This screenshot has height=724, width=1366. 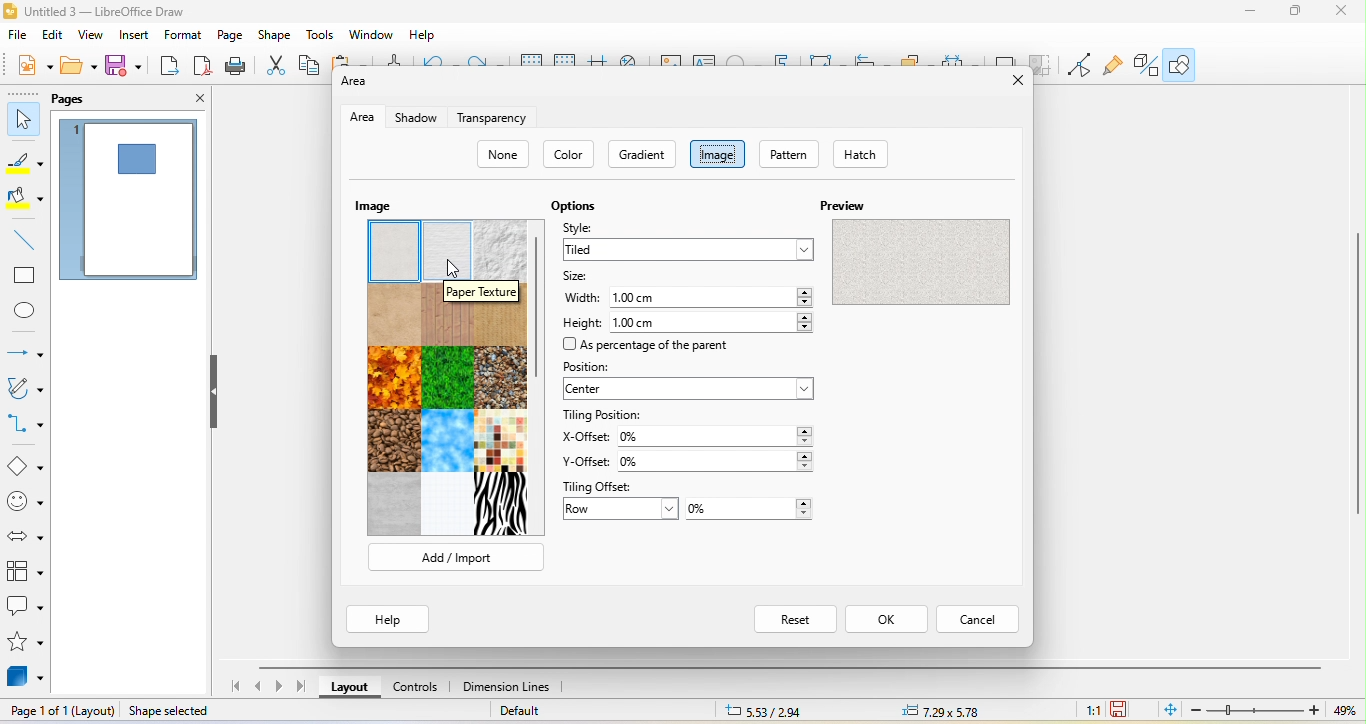 I want to click on close, so click(x=1010, y=82).